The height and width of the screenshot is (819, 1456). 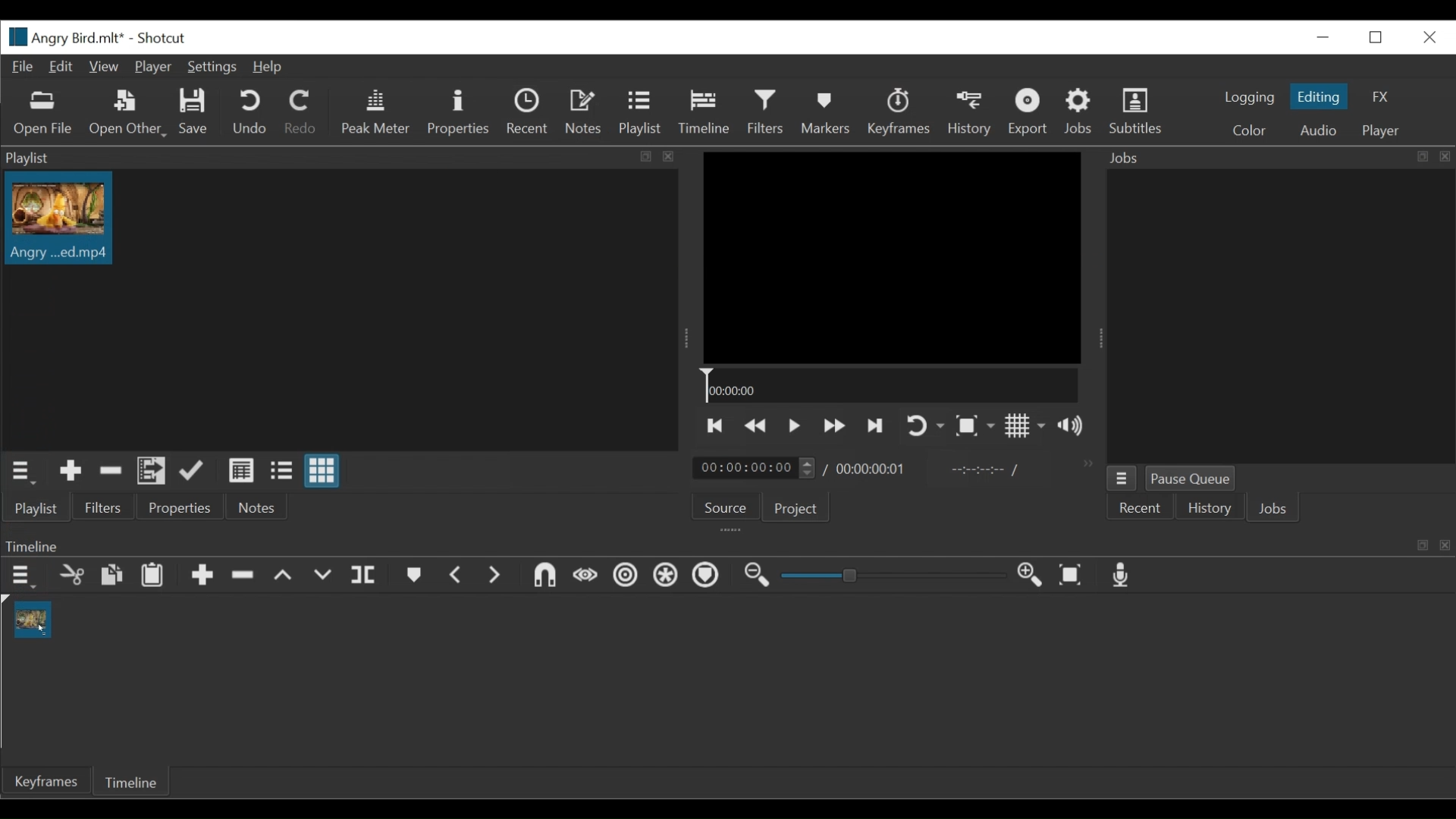 What do you see at coordinates (1075, 427) in the screenshot?
I see `Show volume control` at bounding box center [1075, 427].